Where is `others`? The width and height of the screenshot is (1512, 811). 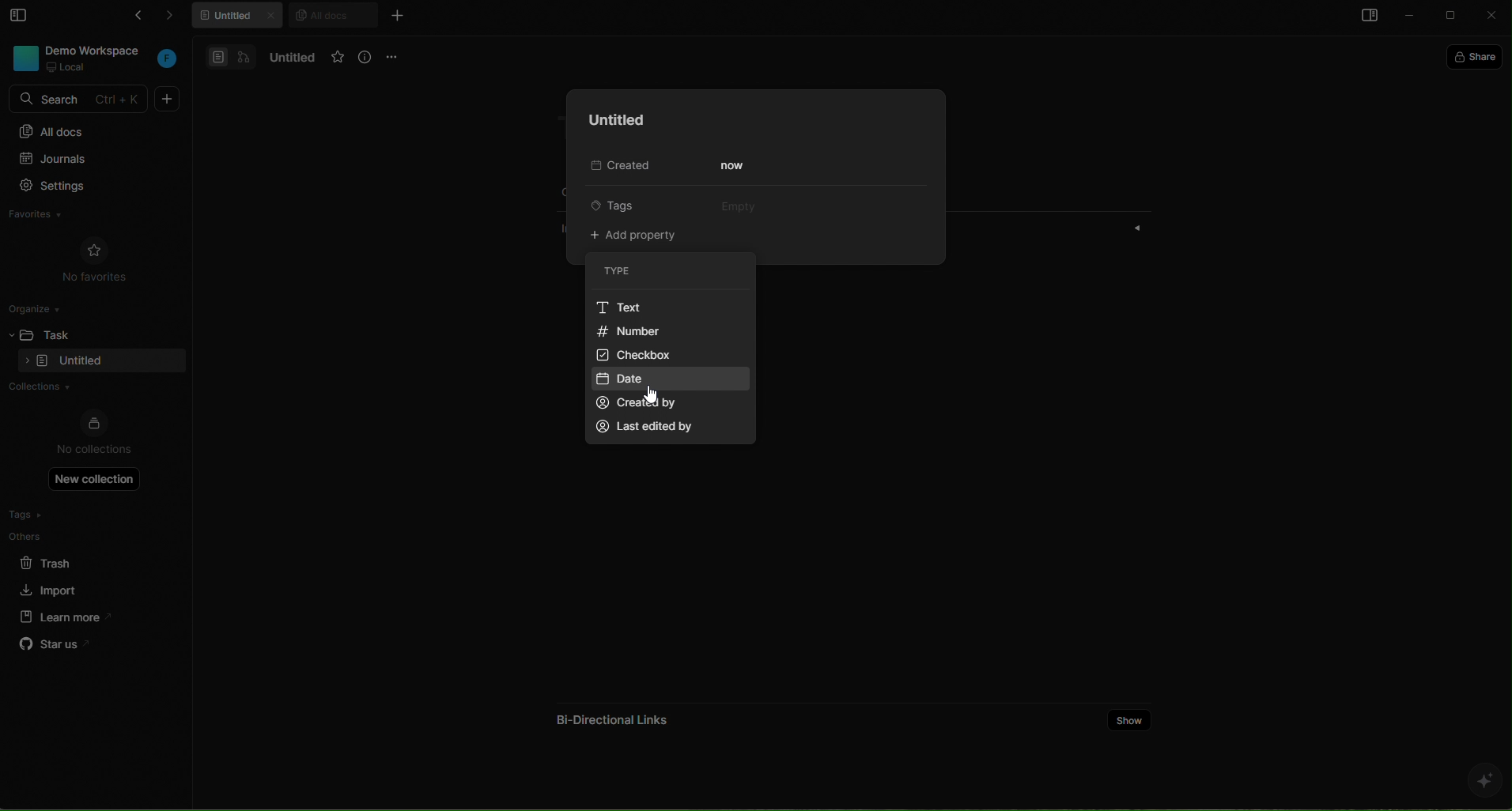
others is located at coordinates (59, 536).